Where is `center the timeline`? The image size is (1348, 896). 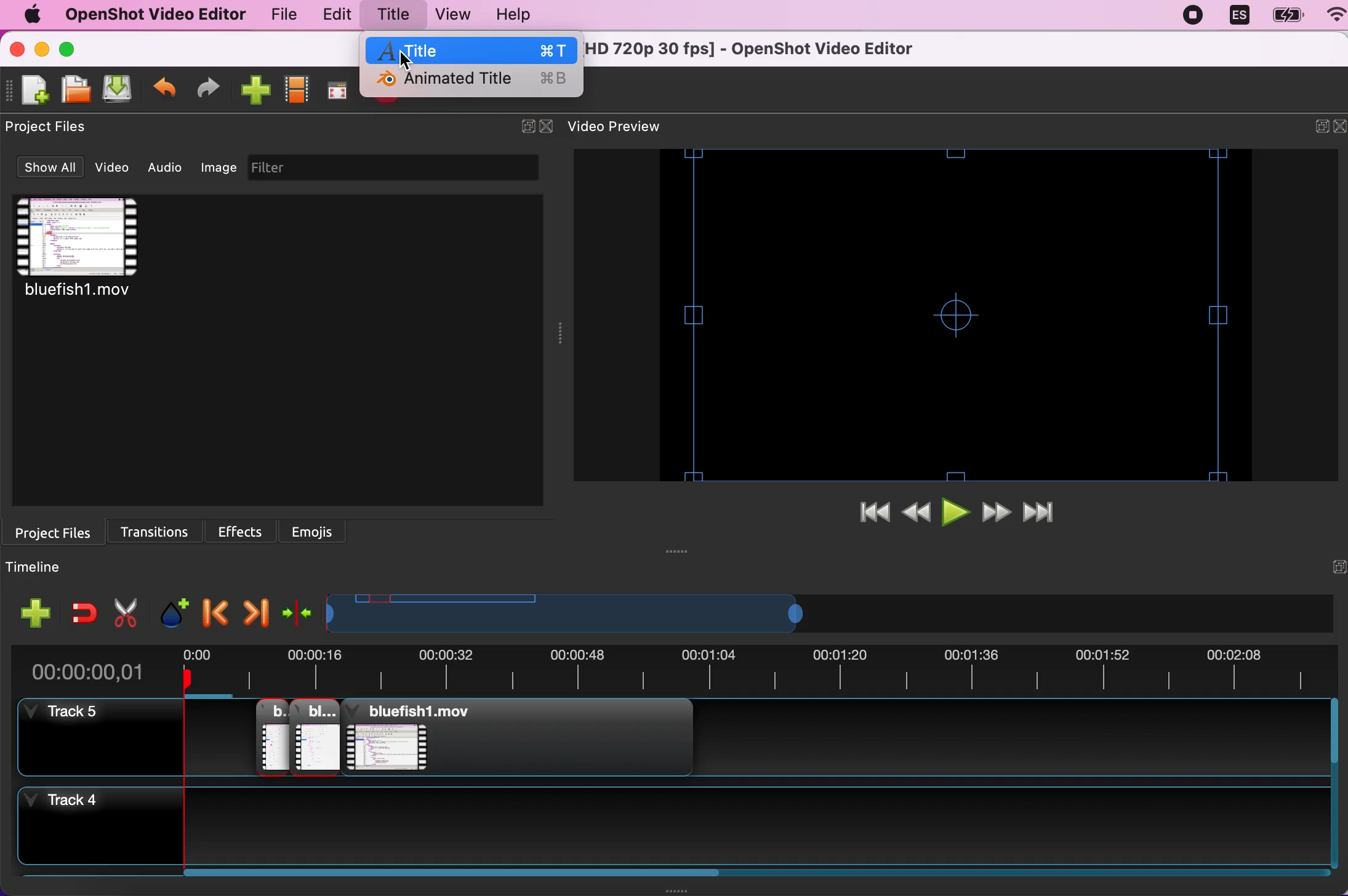
center the timeline is located at coordinates (299, 611).